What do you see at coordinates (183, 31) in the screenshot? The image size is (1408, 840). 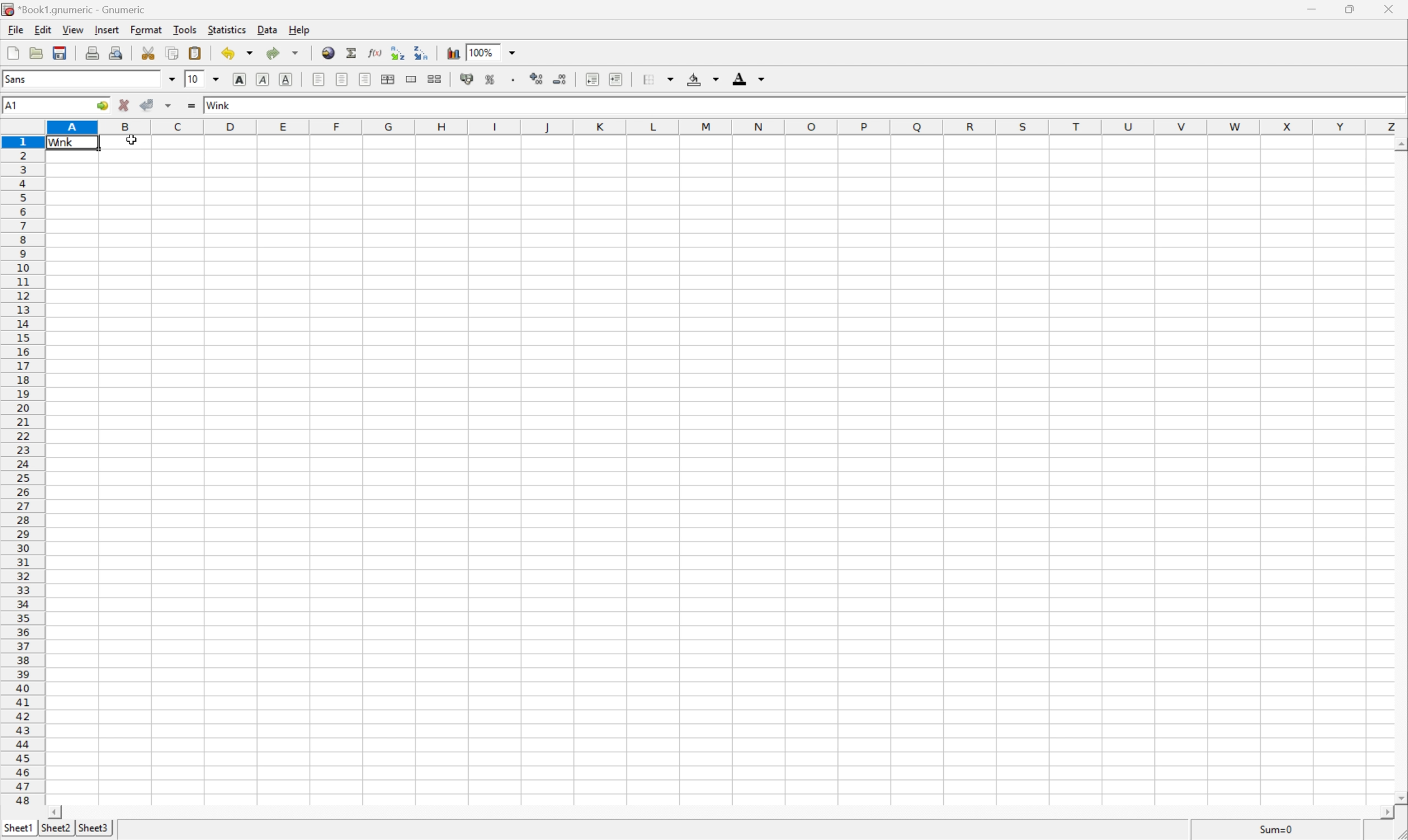 I see `tools` at bounding box center [183, 31].